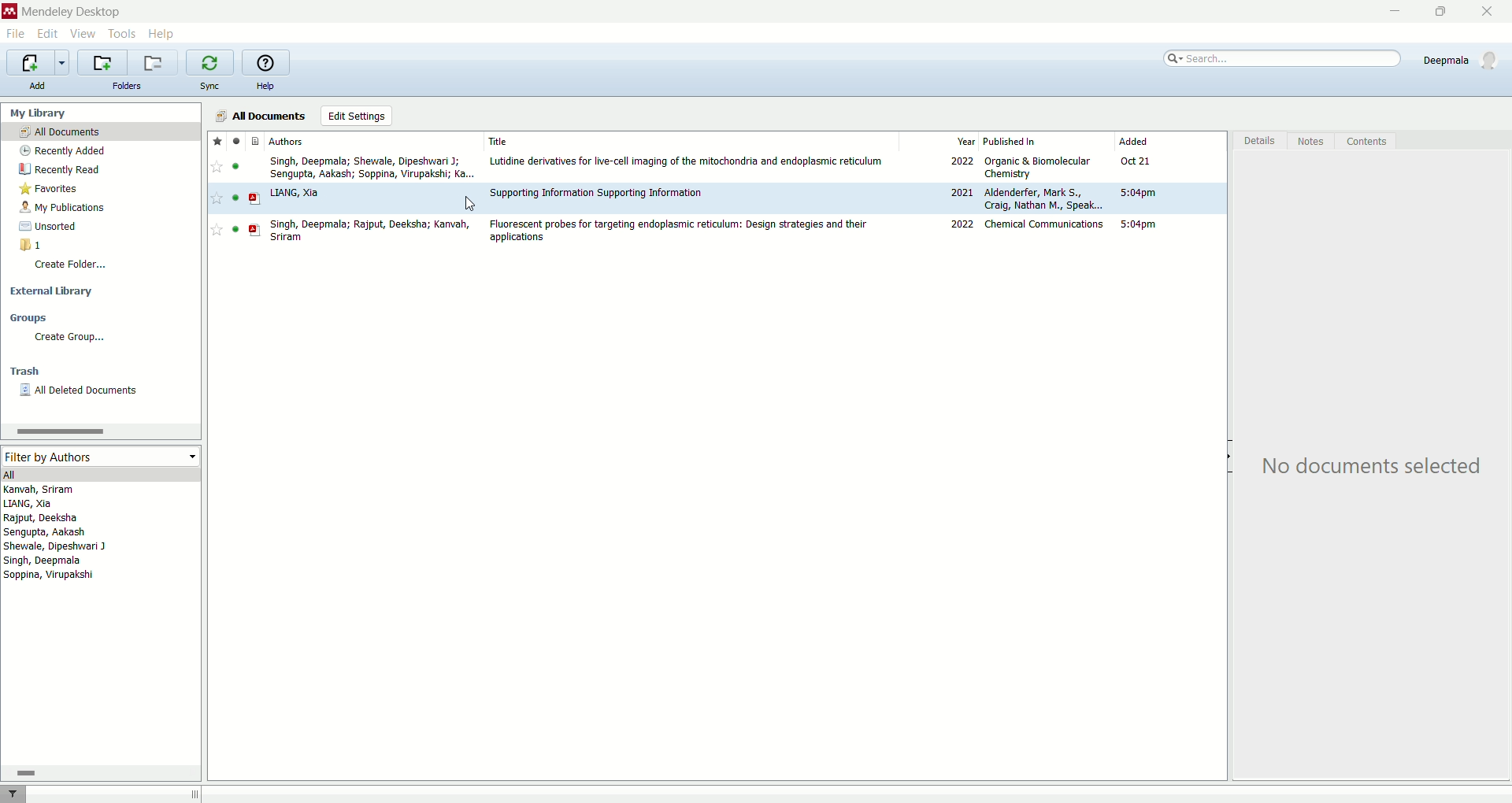 Image resolution: width=1512 pixels, height=803 pixels. I want to click on online help guide for mendeley, so click(266, 61).